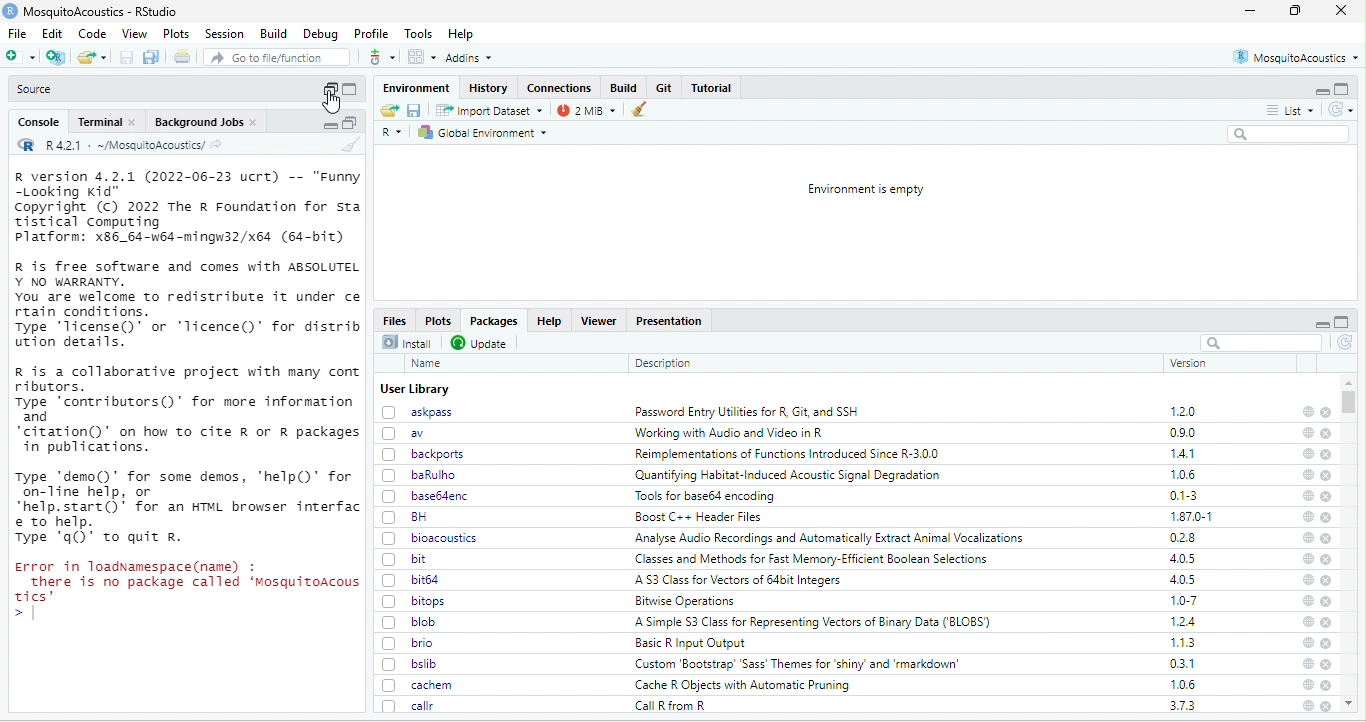 The image size is (1366, 722). Describe the element at coordinates (127, 57) in the screenshot. I see `save current document` at that location.